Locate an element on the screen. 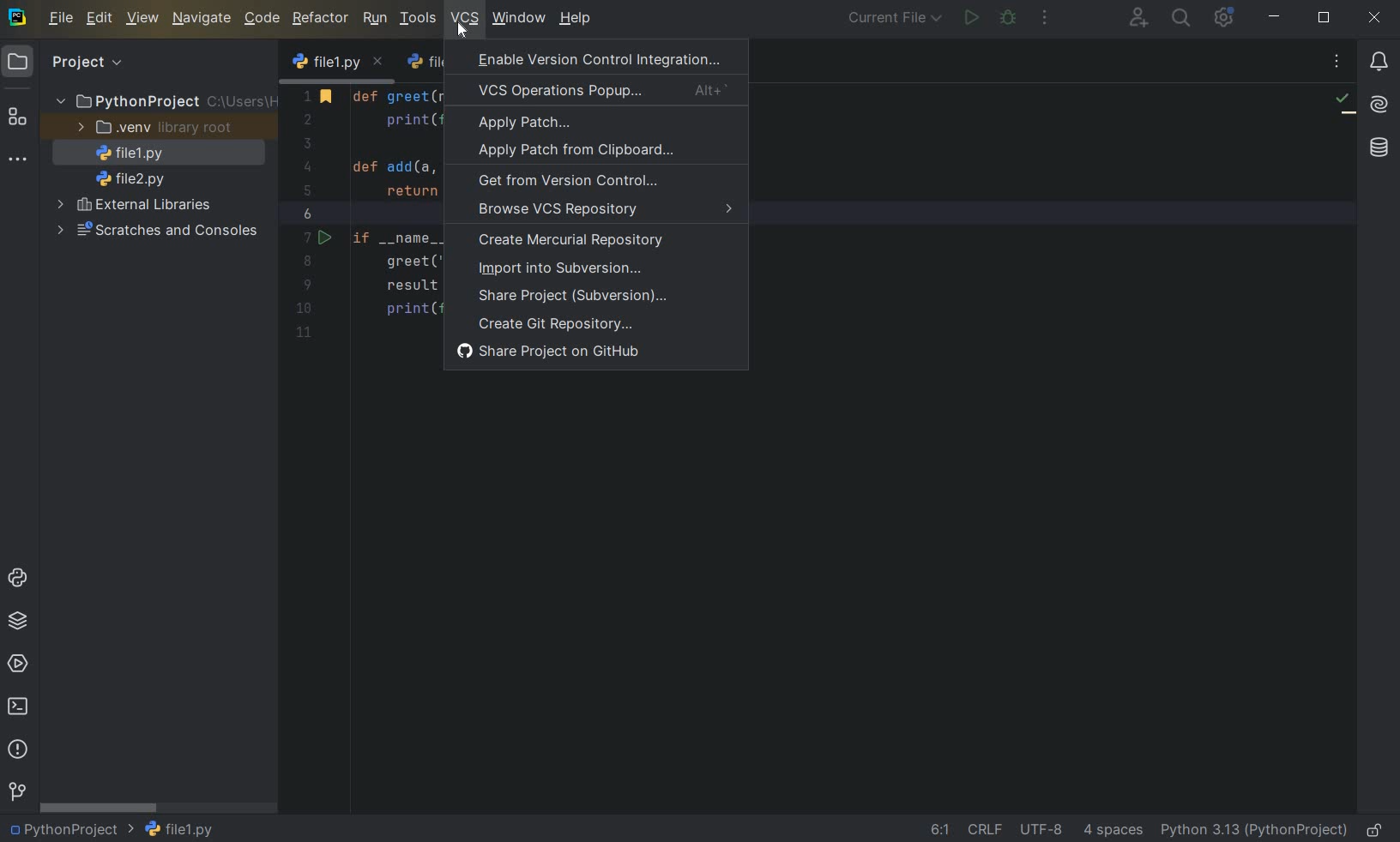 The width and height of the screenshot is (1400, 842). AI Assistant is located at coordinates (1380, 106).